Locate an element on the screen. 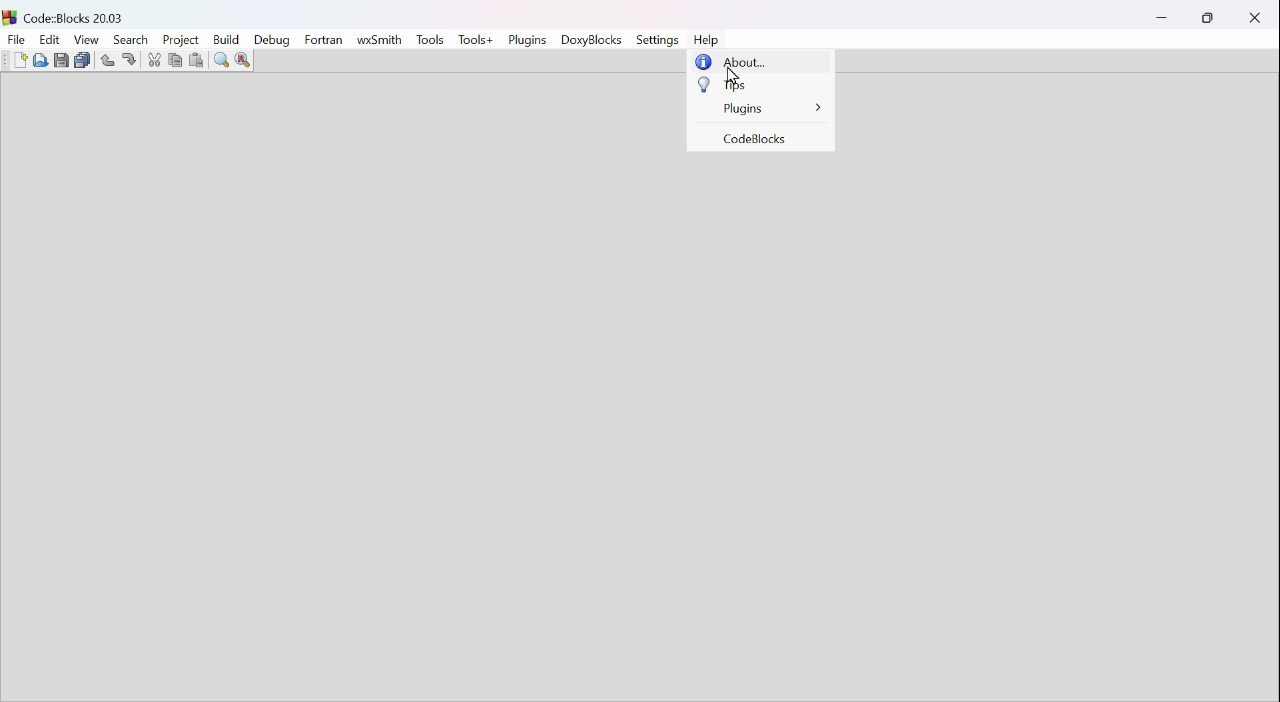 The image size is (1280, 702). Tips is located at coordinates (737, 84).